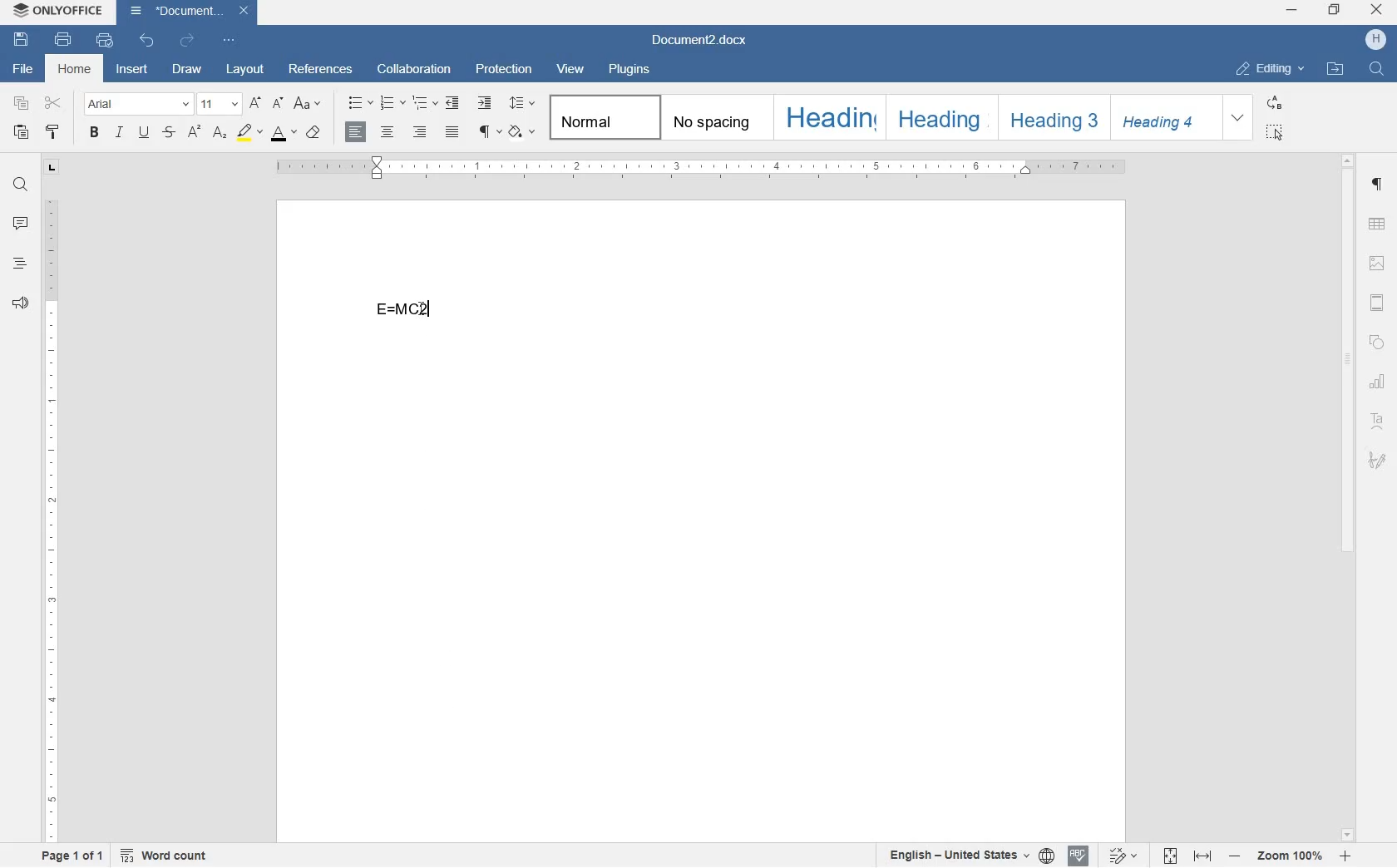 The height and width of the screenshot is (868, 1397). Describe the element at coordinates (1292, 10) in the screenshot. I see `minimize` at that location.